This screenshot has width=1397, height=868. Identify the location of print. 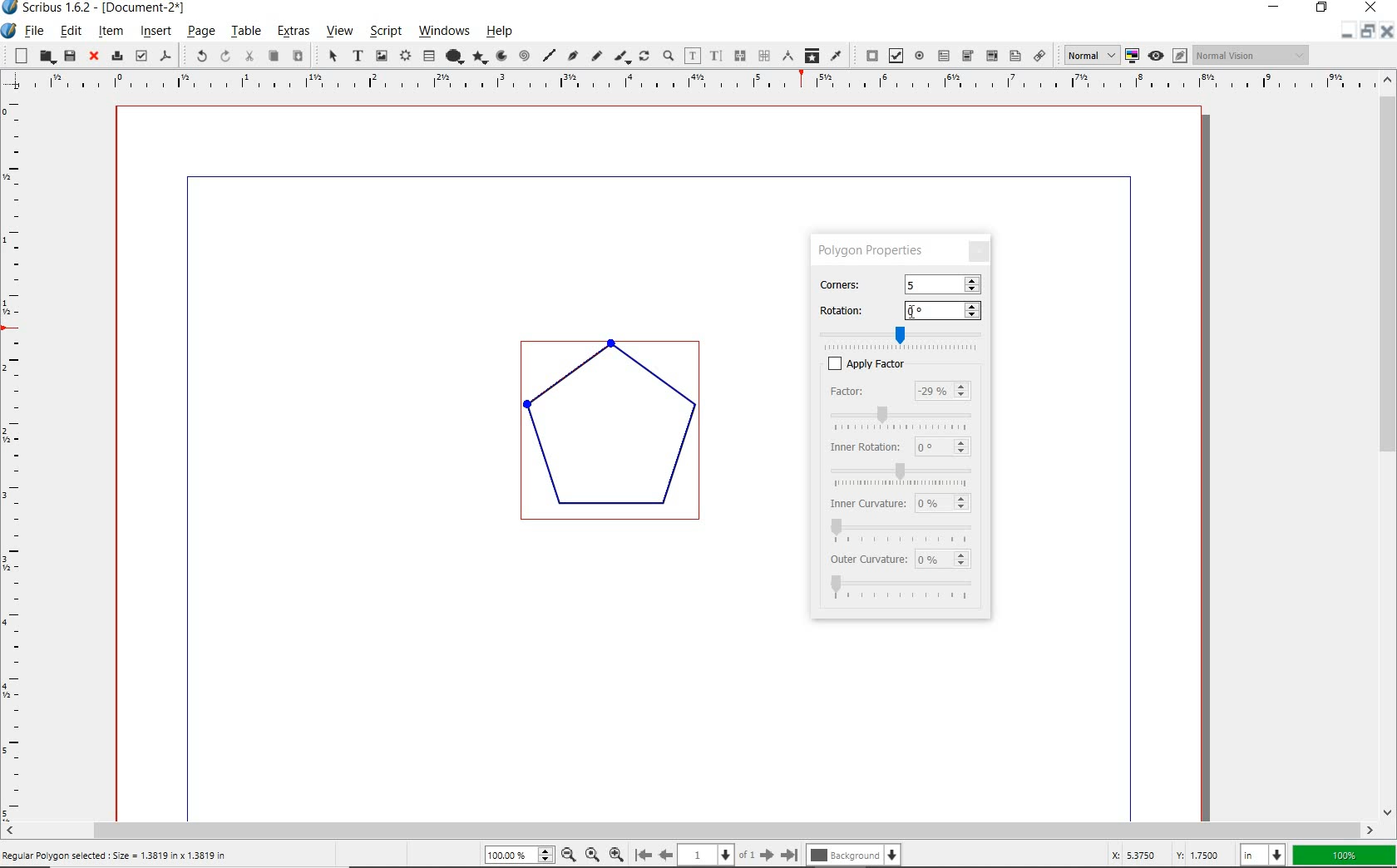
(116, 56).